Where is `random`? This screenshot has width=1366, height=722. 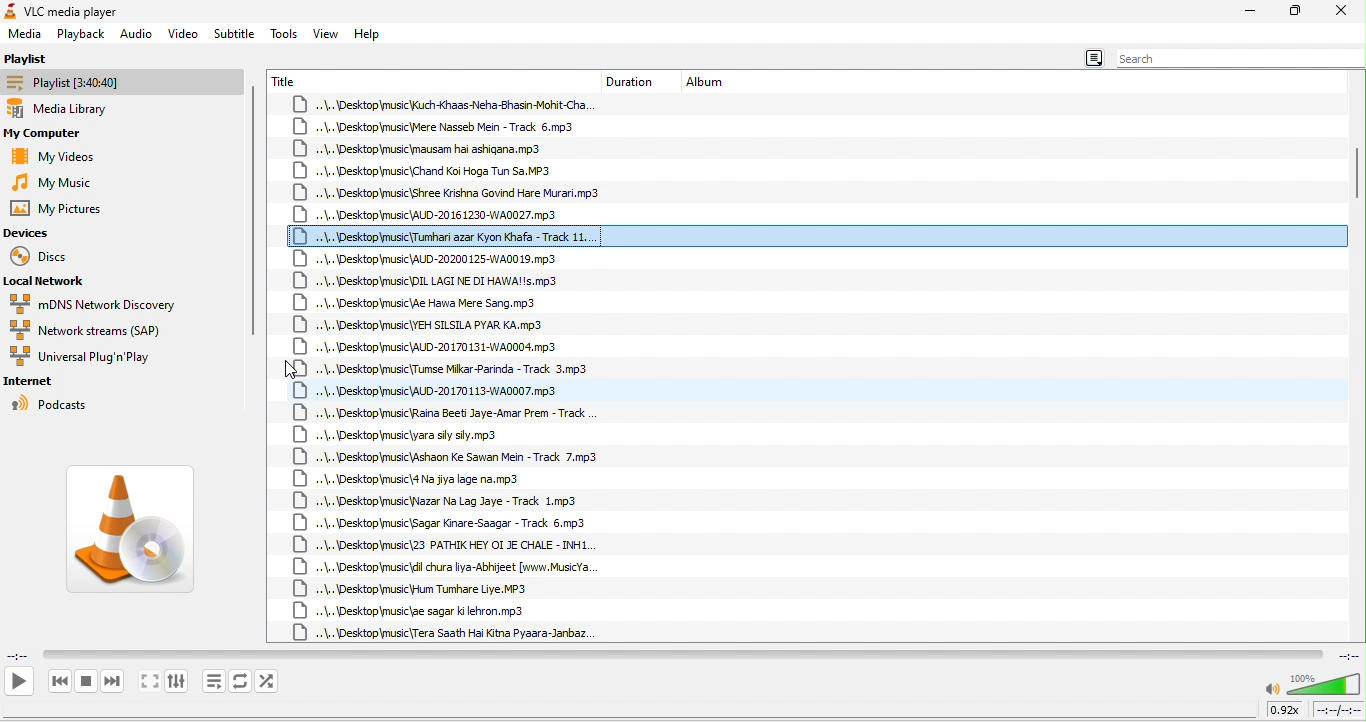
random is located at coordinates (269, 681).